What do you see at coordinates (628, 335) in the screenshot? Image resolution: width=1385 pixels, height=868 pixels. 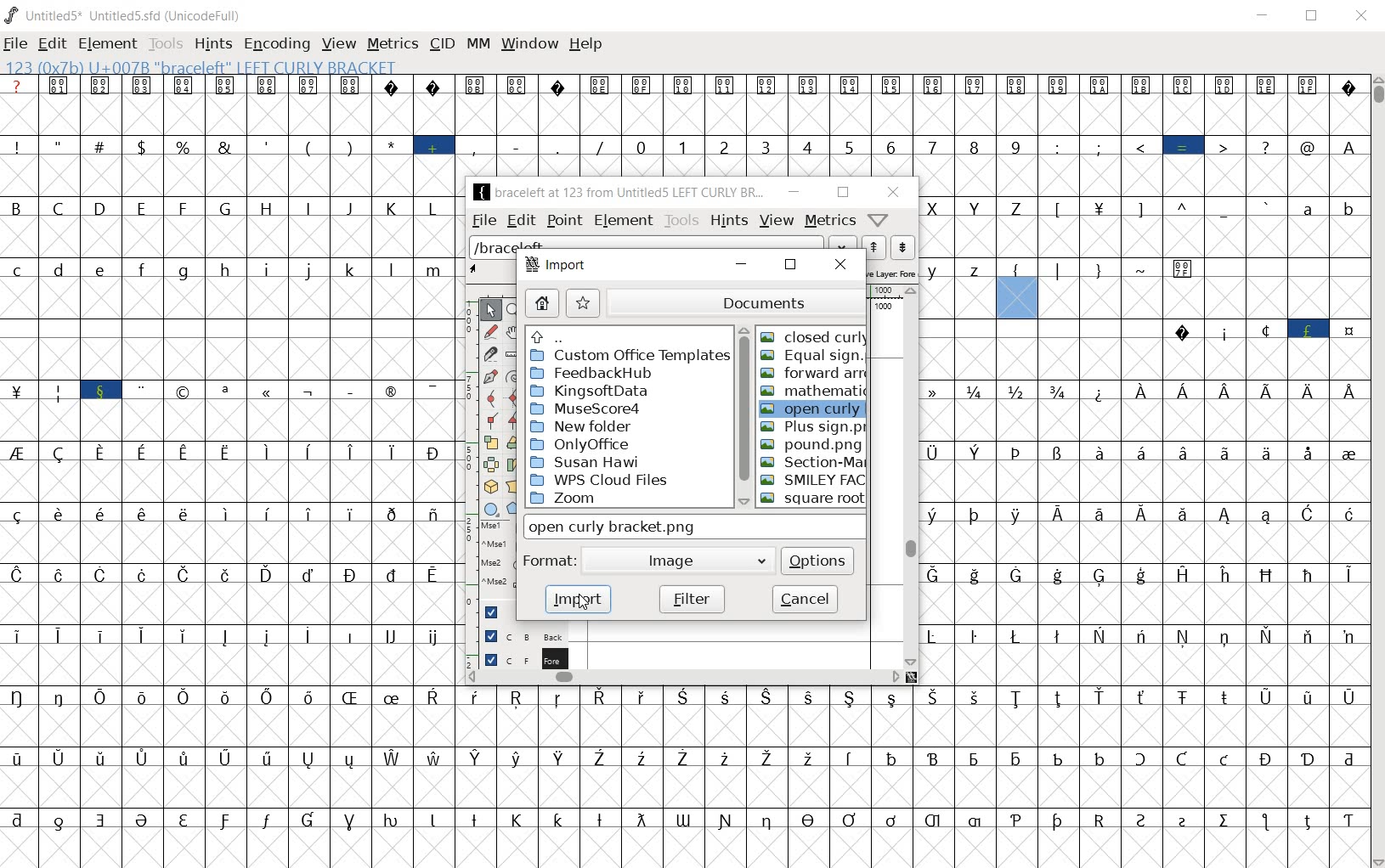 I see `Up directories` at bounding box center [628, 335].